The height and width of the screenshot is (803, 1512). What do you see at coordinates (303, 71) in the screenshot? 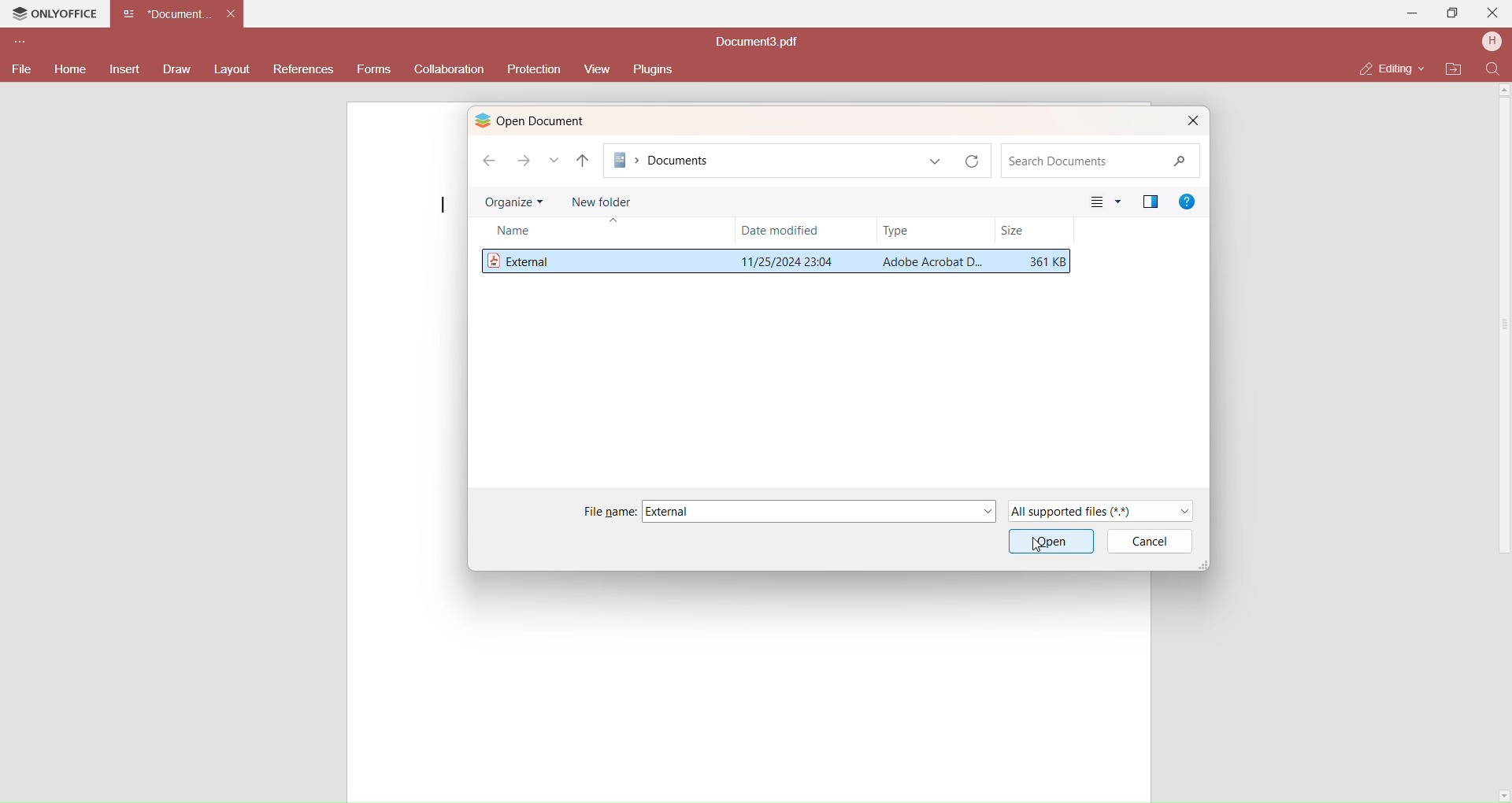
I see `Referenecs` at bounding box center [303, 71].